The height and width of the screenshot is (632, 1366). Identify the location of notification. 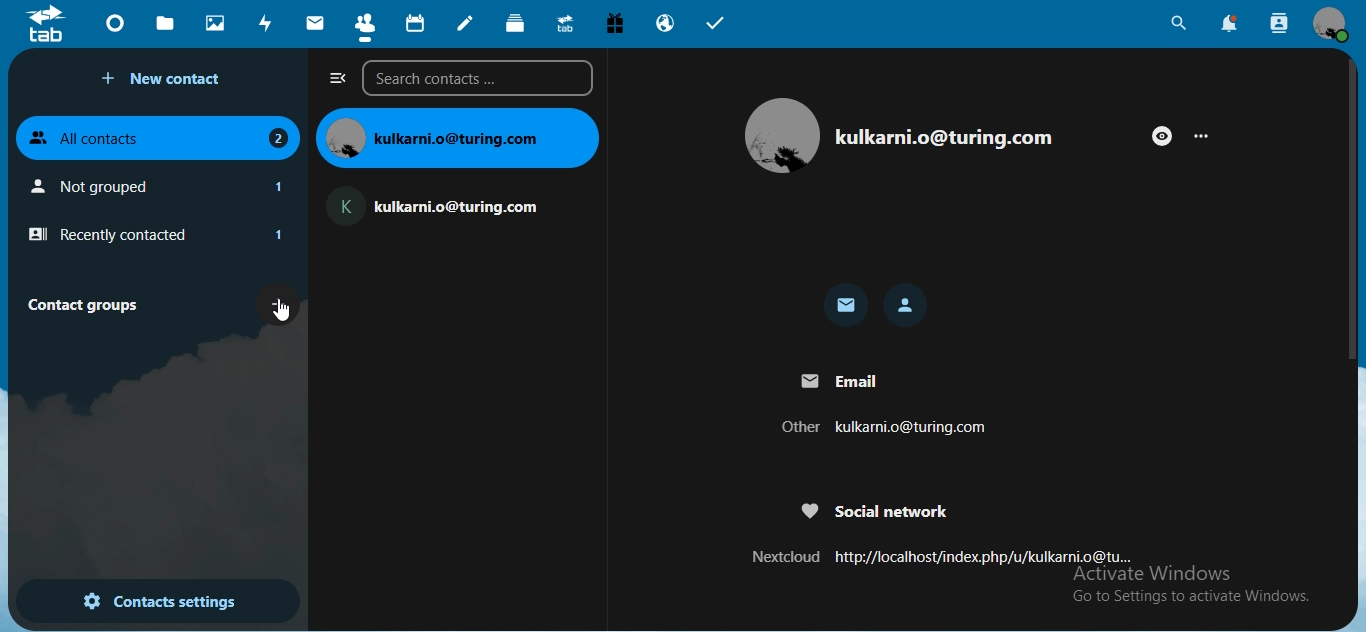
(1231, 24).